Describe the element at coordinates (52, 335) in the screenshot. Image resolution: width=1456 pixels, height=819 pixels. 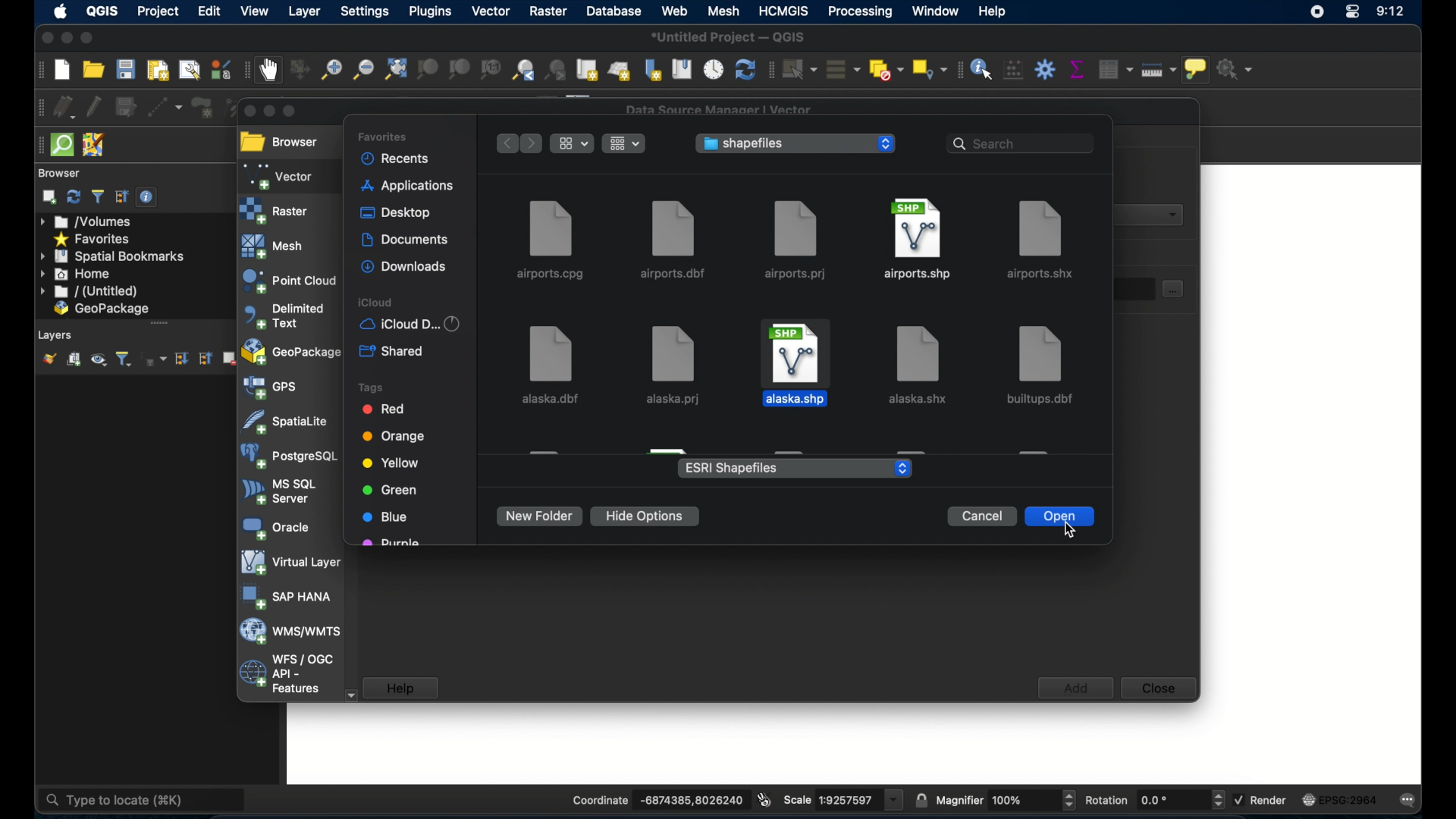
I see `Layers` at that location.